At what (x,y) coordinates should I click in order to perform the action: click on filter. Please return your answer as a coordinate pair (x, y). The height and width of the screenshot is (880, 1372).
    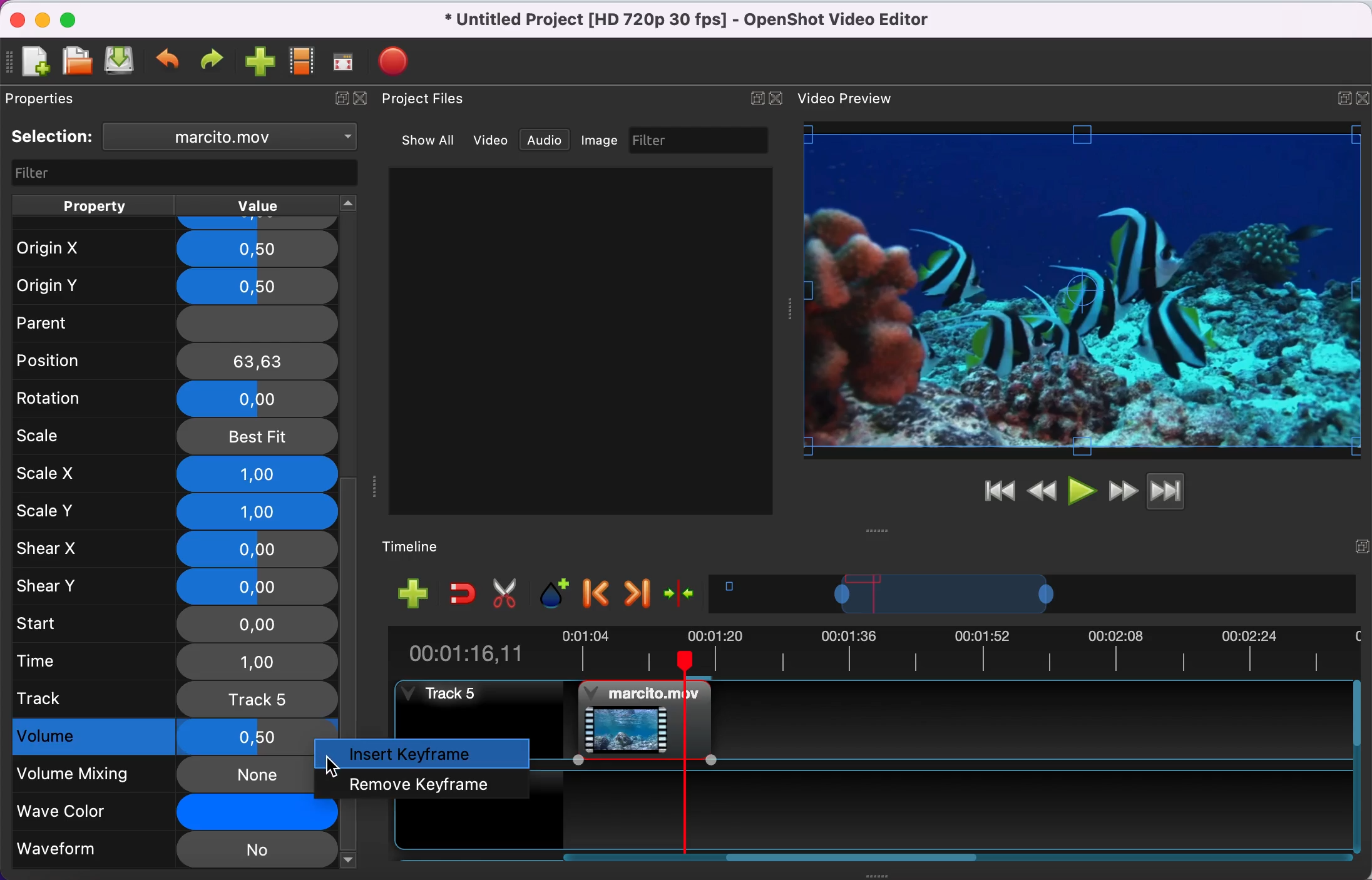
    Looking at the image, I should click on (179, 172).